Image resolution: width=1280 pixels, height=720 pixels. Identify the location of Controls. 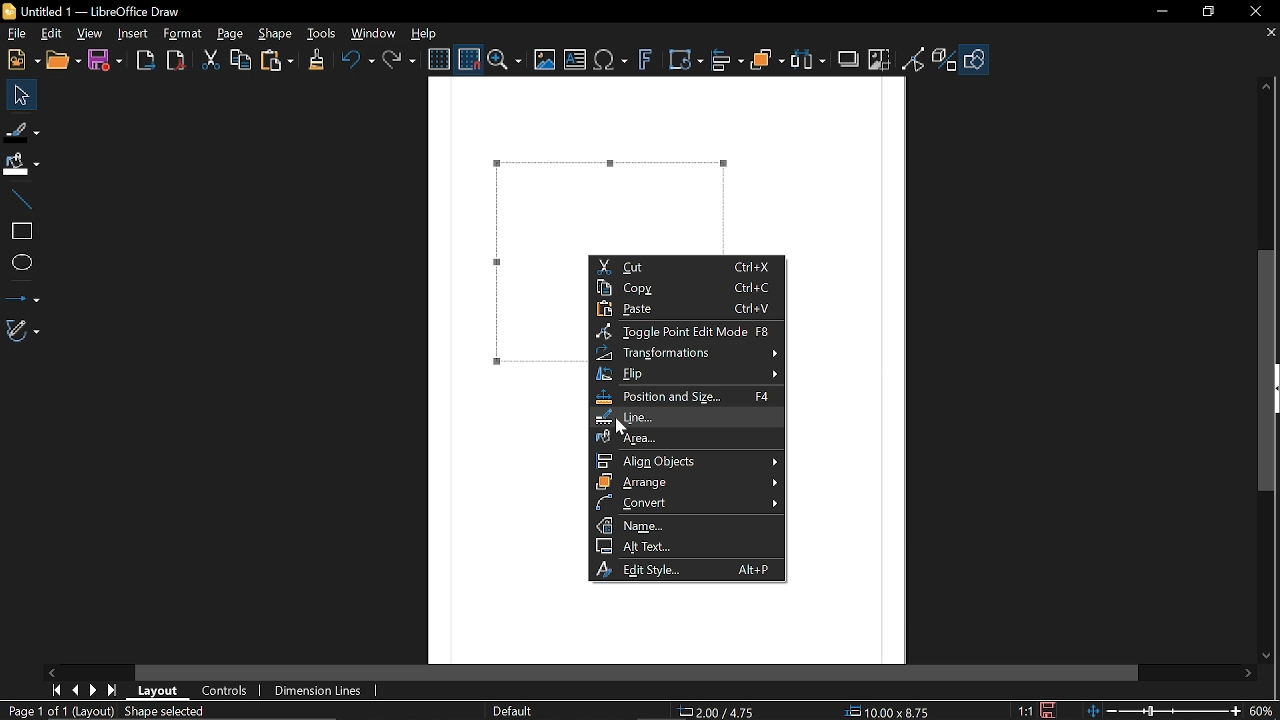
(225, 691).